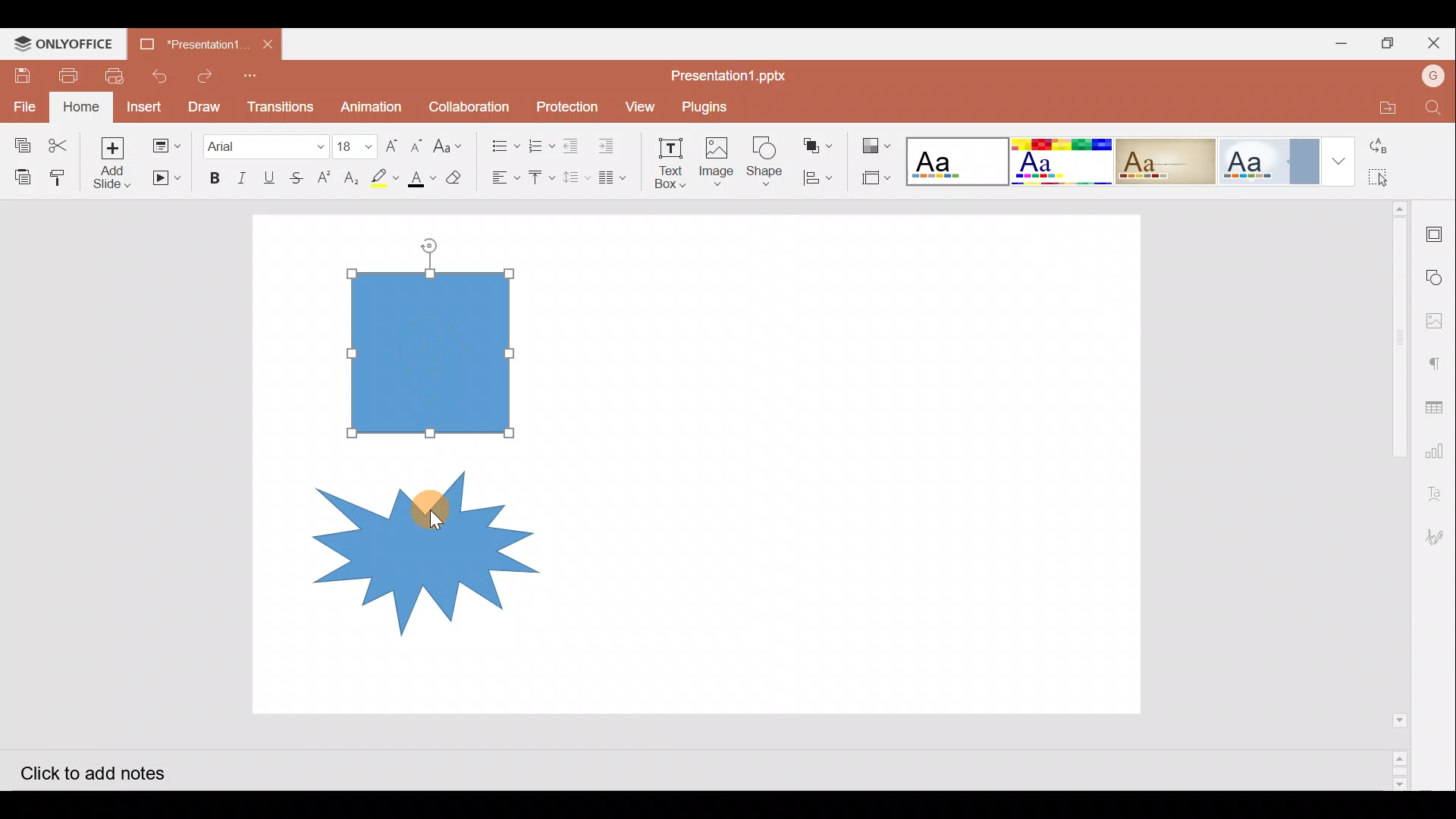 The height and width of the screenshot is (819, 1456). What do you see at coordinates (864, 464) in the screenshot?
I see `Presentation slide` at bounding box center [864, 464].